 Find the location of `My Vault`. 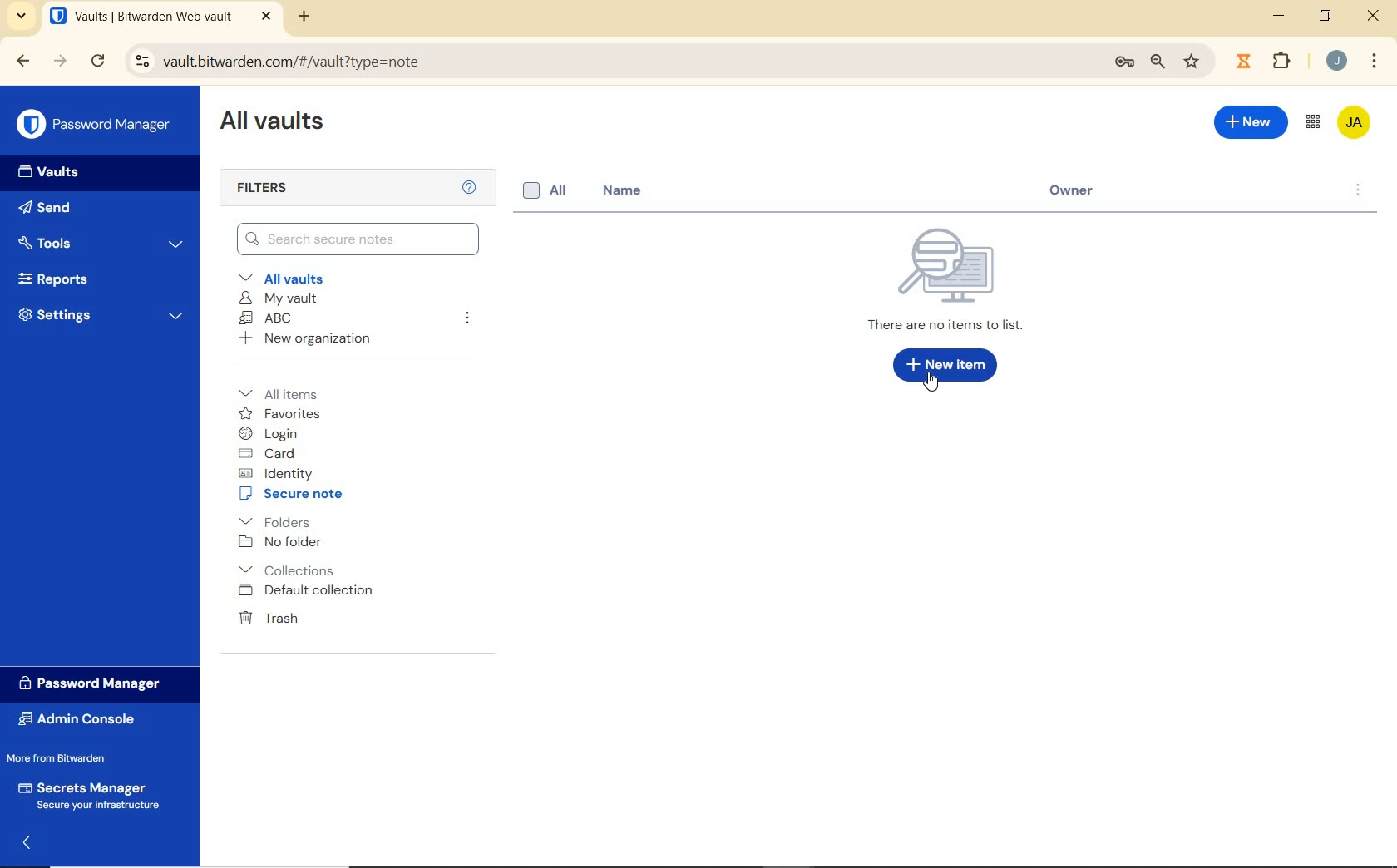

My Vault is located at coordinates (278, 299).